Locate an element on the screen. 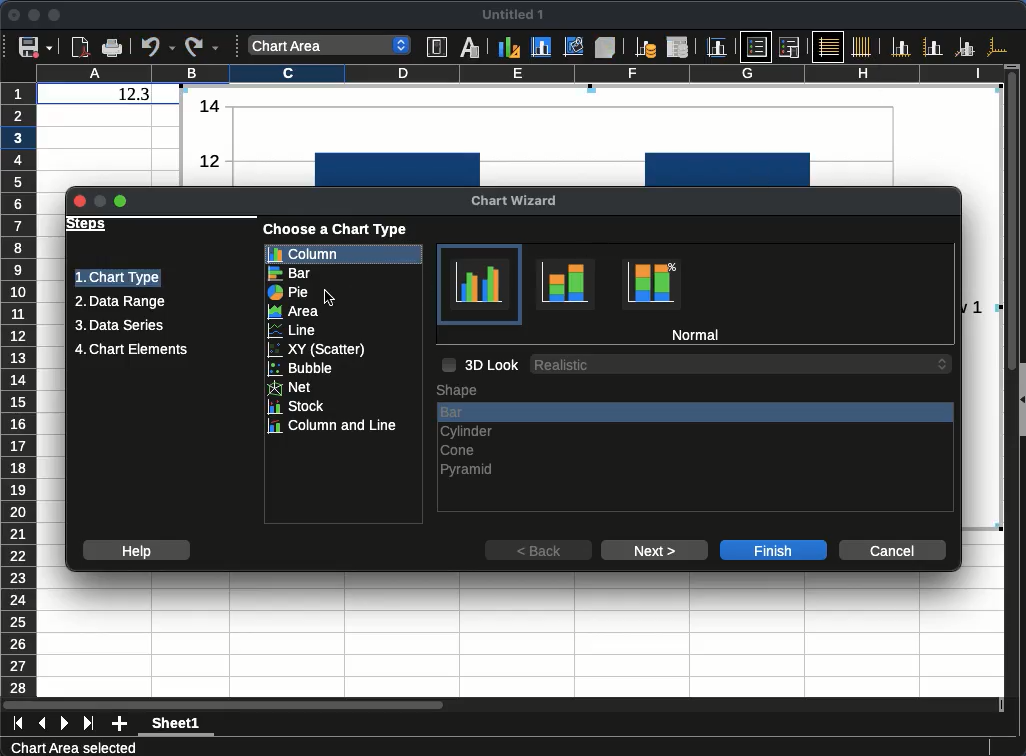  Vertical grids is located at coordinates (862, 46).